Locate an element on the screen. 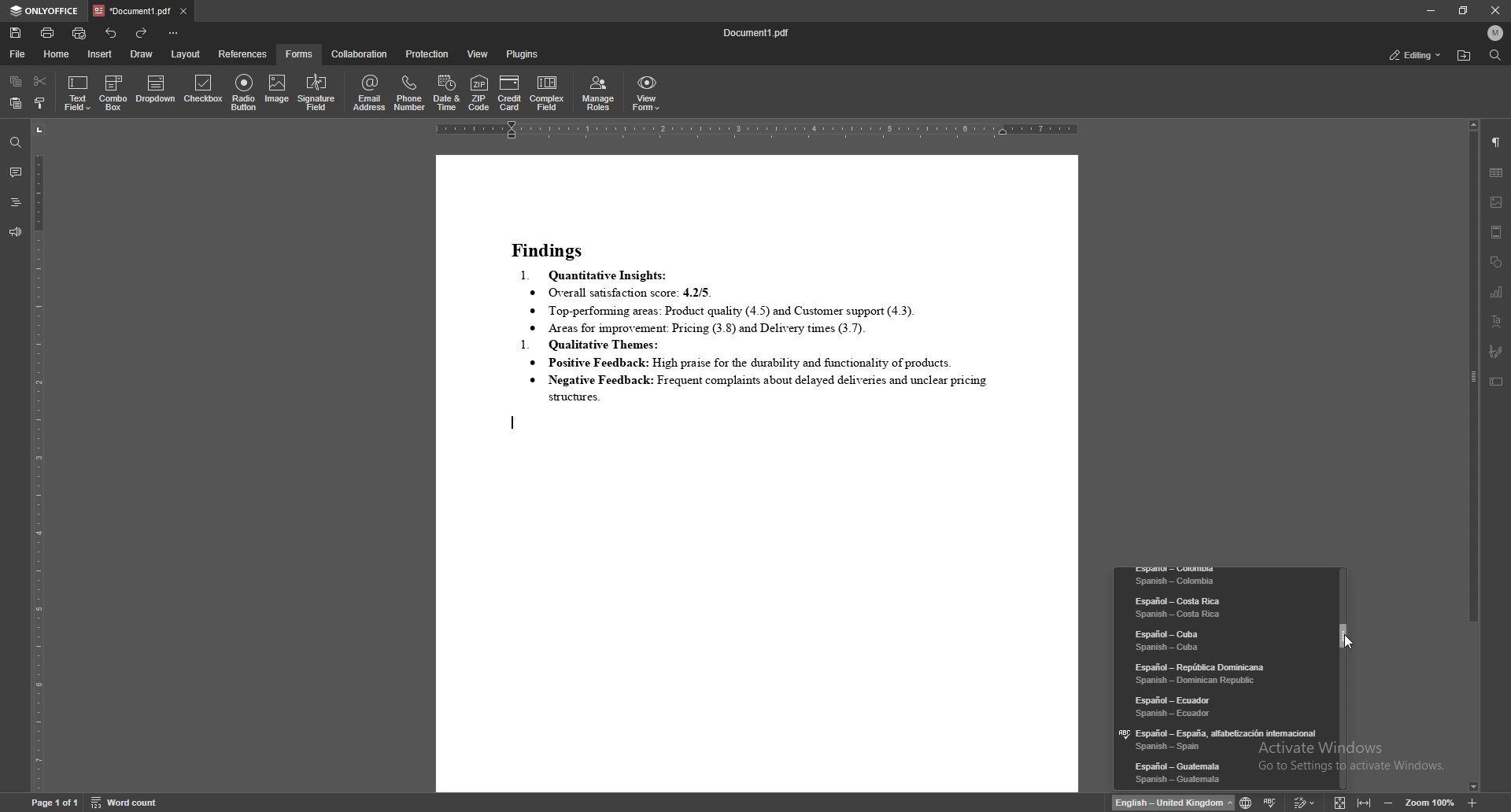  language is located at coordinates (1217, 607).